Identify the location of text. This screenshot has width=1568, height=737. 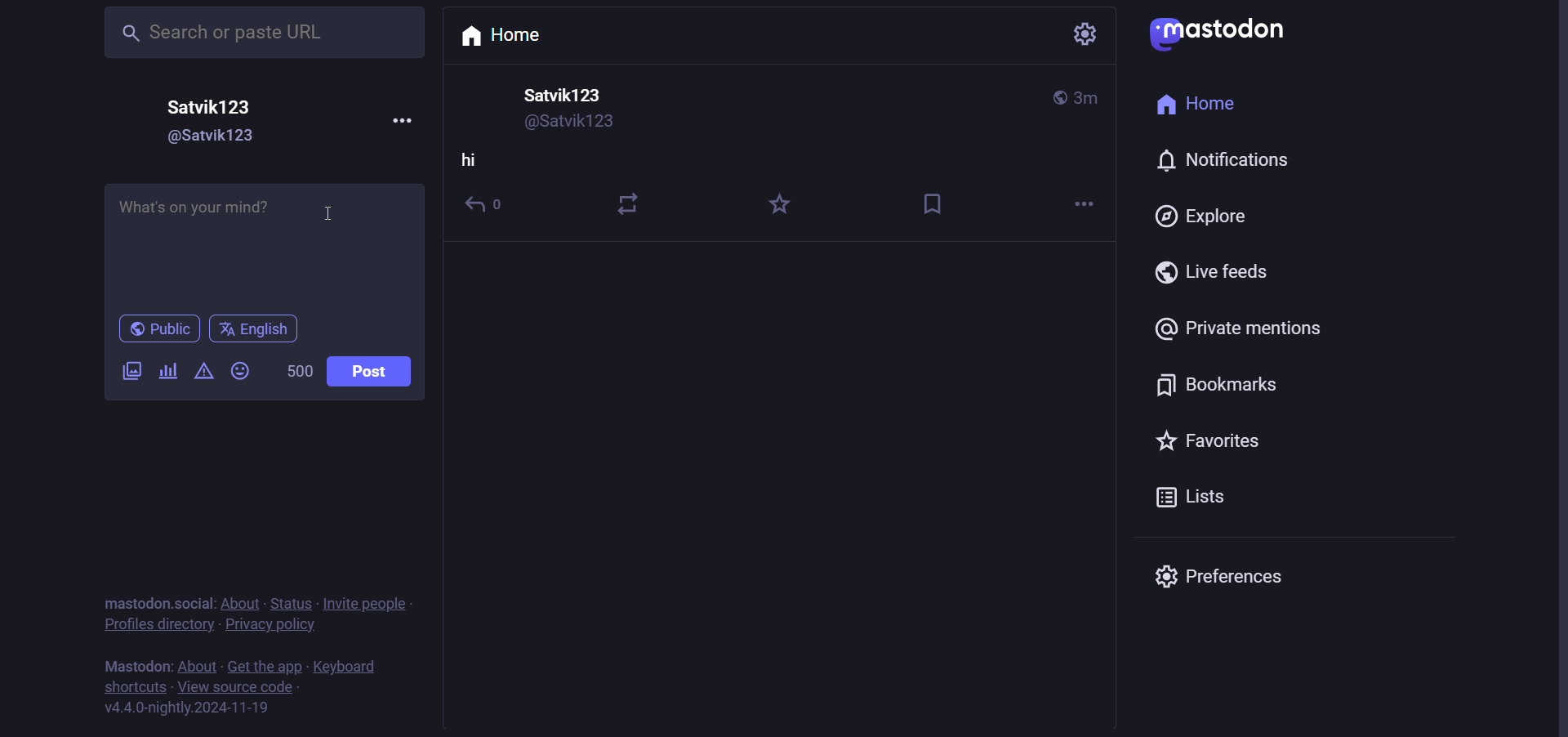
(137, 603).